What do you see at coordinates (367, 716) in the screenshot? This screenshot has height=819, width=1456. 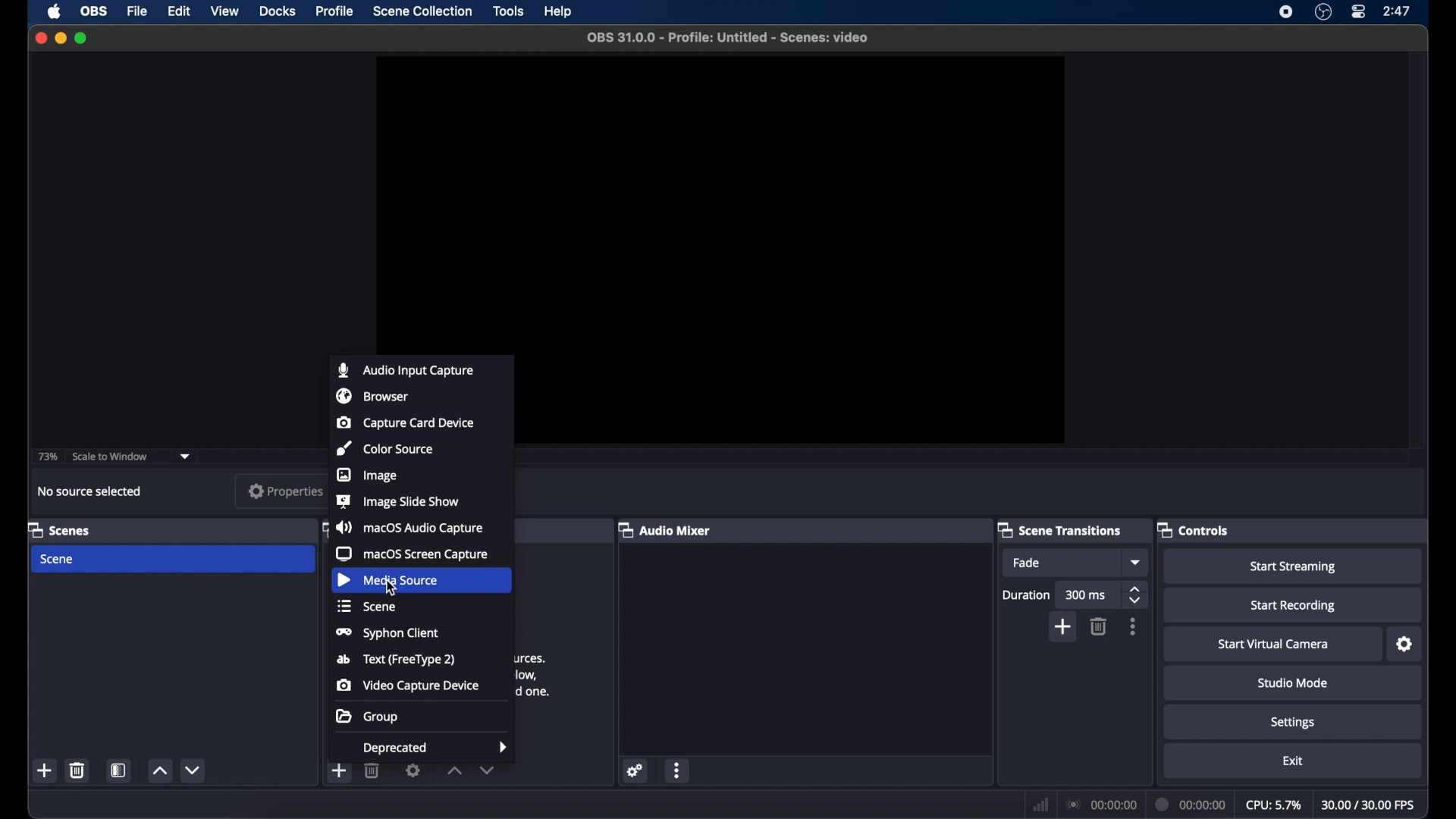 I see `group` at bounding box center [367, 716].